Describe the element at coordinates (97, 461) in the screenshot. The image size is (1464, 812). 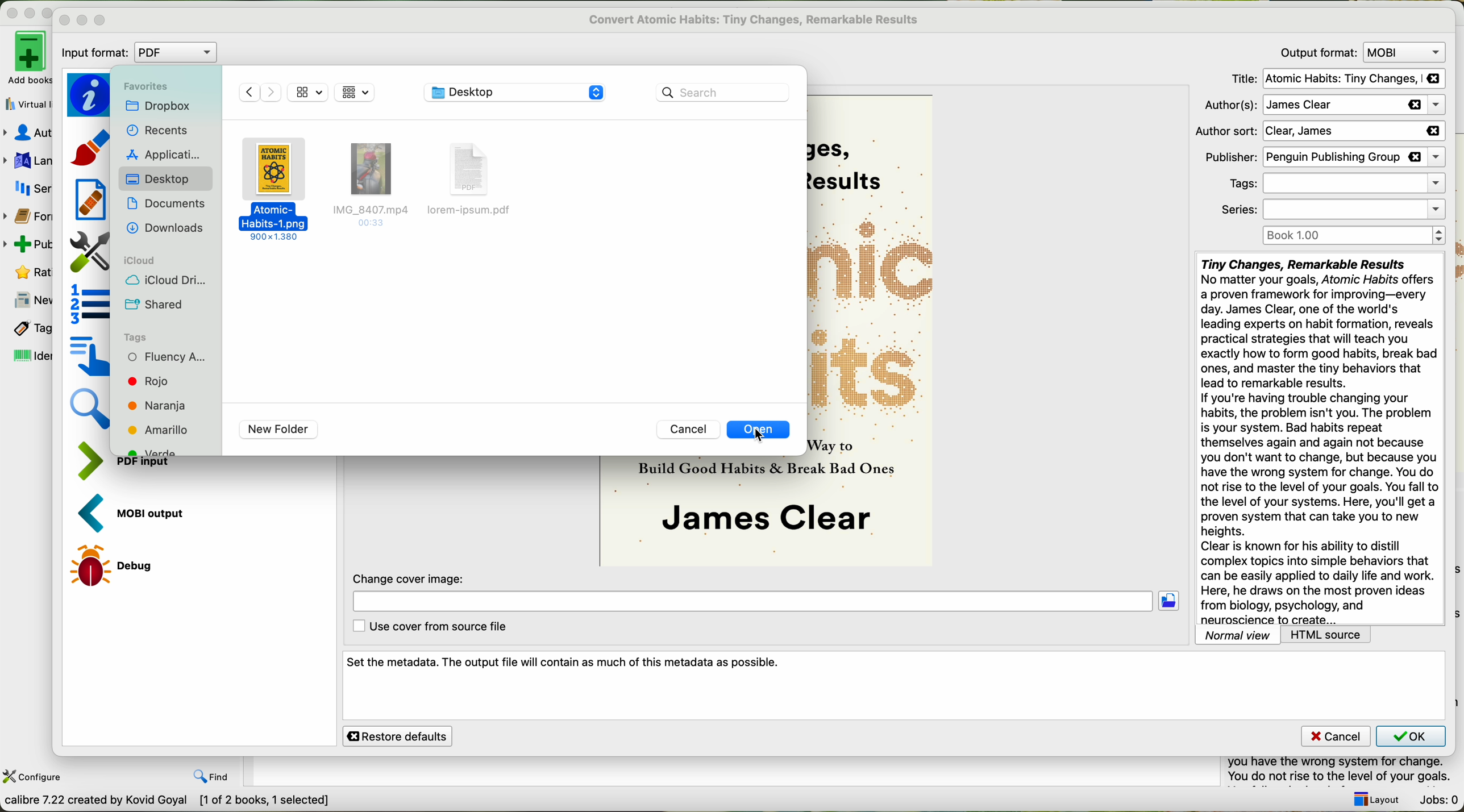
I see `PDF input` at that location.